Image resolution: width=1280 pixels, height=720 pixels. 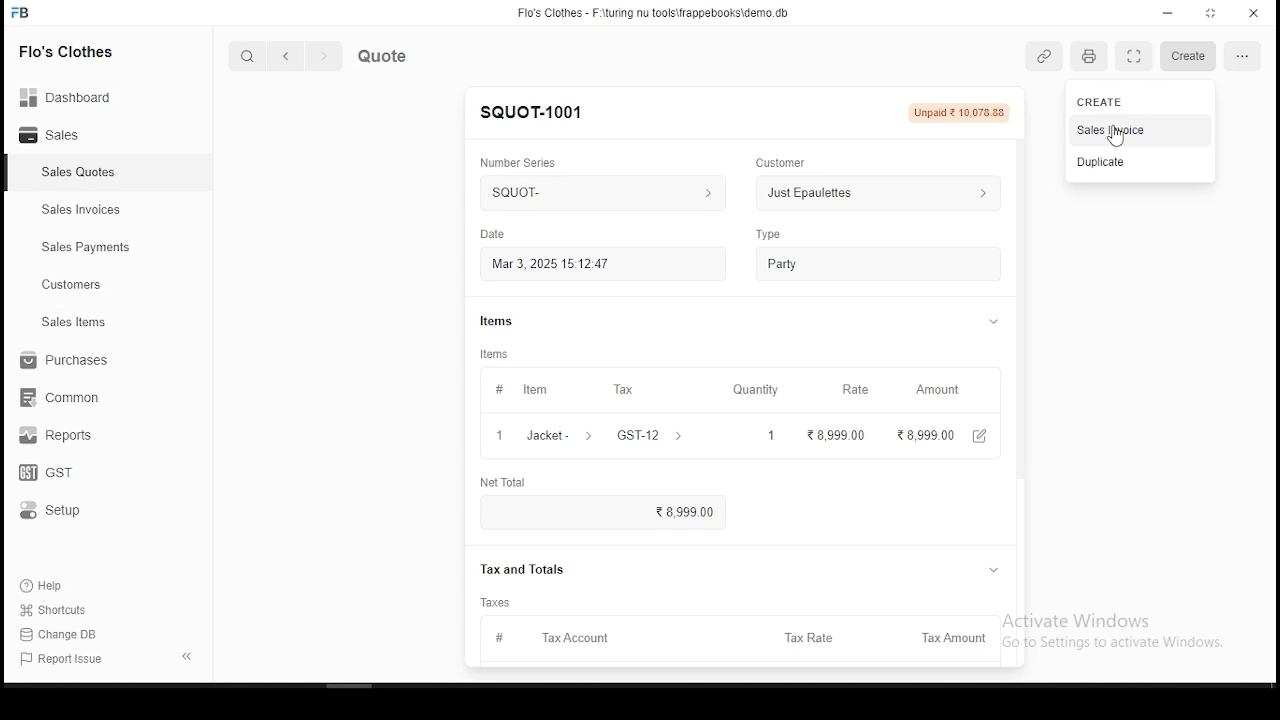 What do you see at coordinates (942, 390) in the screenshot?
I see `amount` at bounding box center [942, 390].